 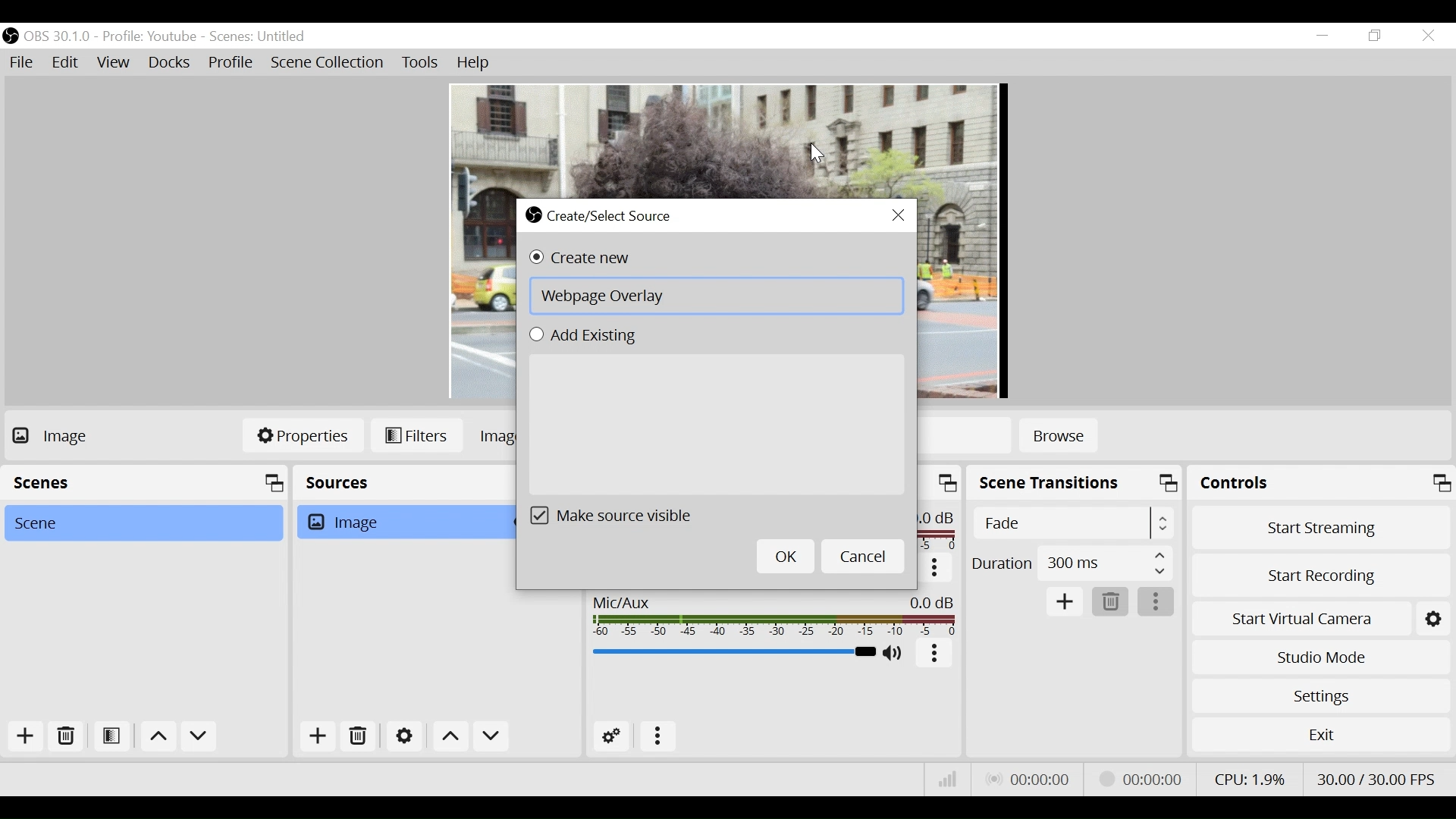 What do you see at coordinates (389, 485) in the screenshot?
I see `Sources` at bounding box center [389, 485].